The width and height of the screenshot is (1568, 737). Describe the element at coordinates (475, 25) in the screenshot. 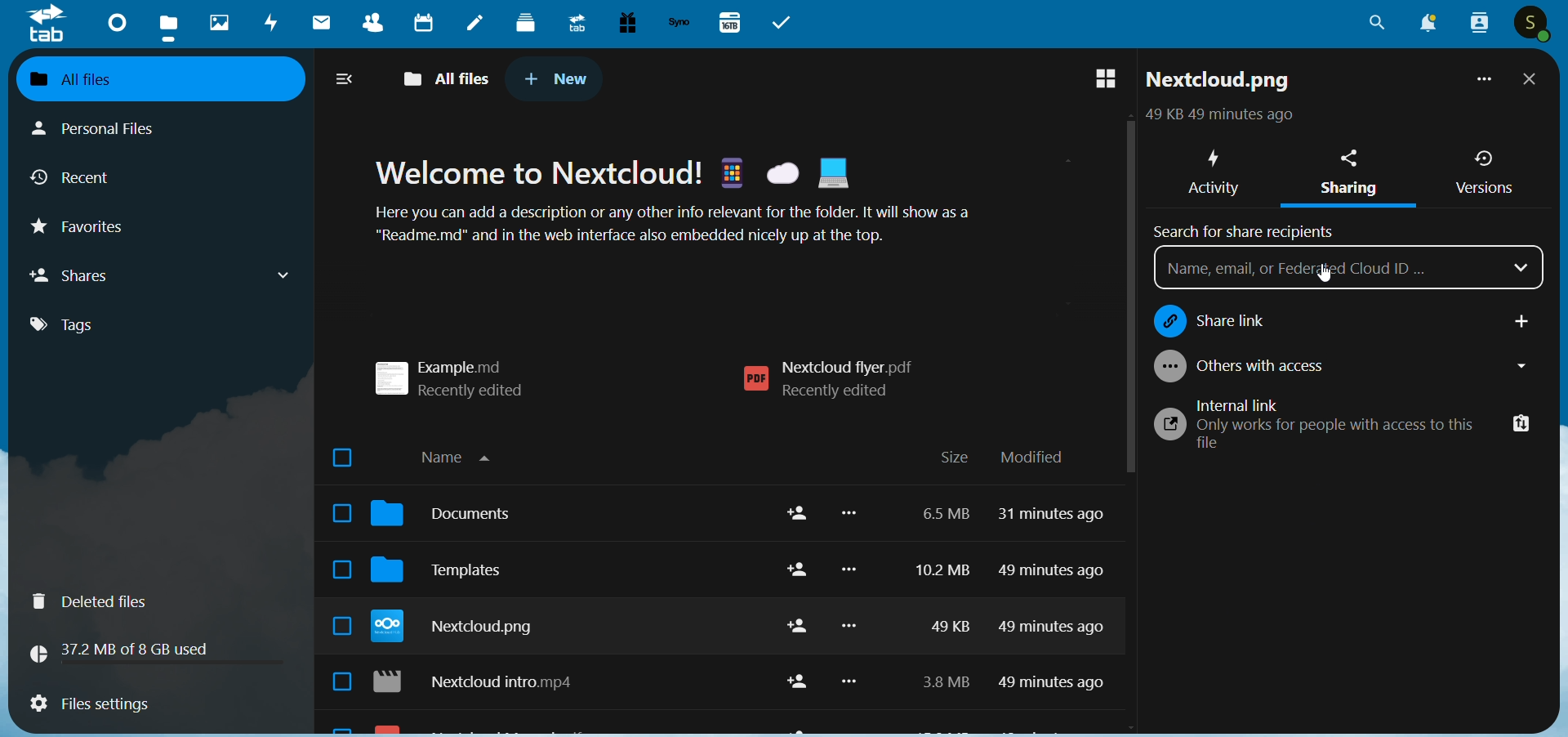

I see `notes` at that location.